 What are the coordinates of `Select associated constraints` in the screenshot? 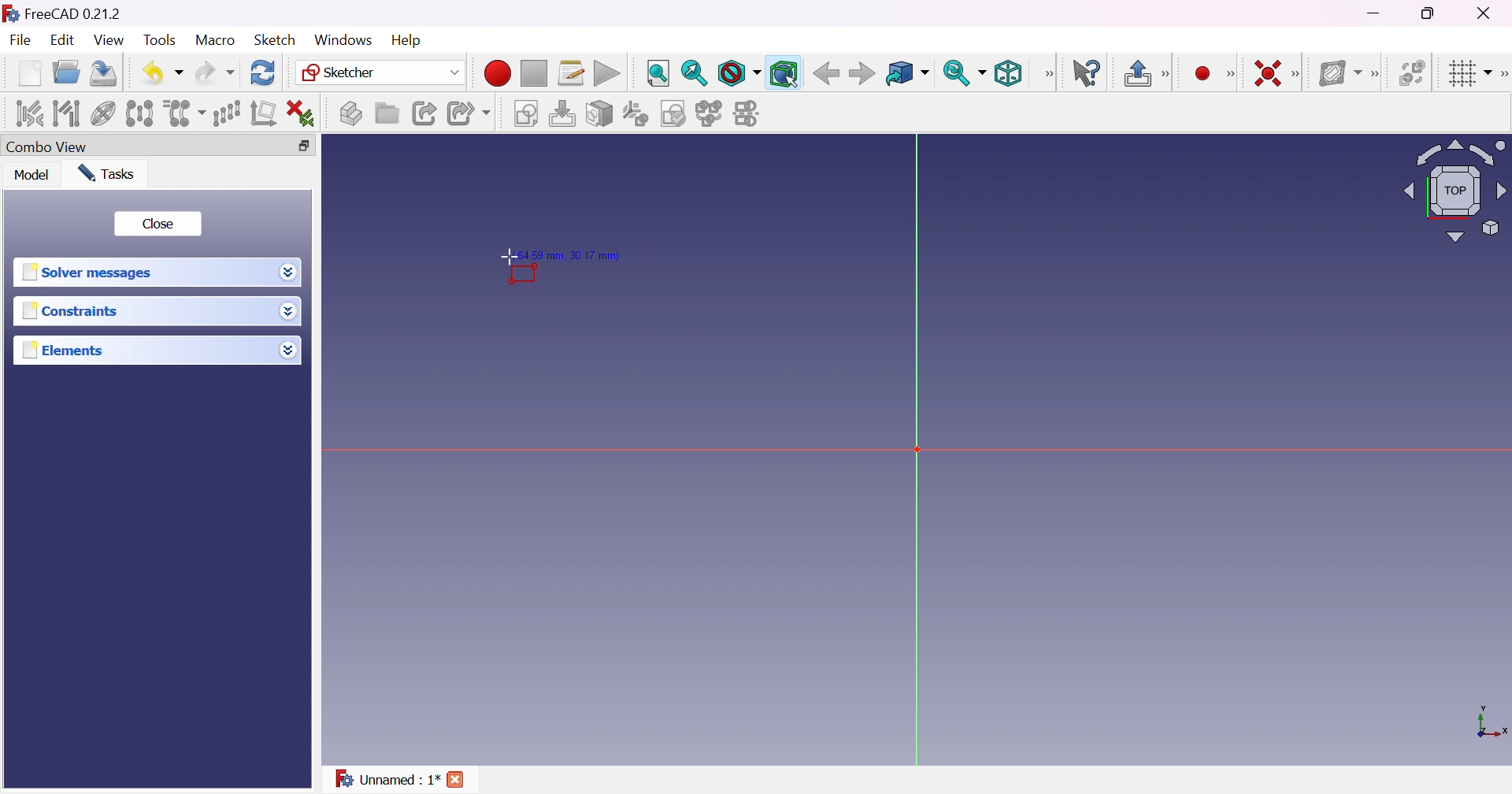 It's located at (29, 113).